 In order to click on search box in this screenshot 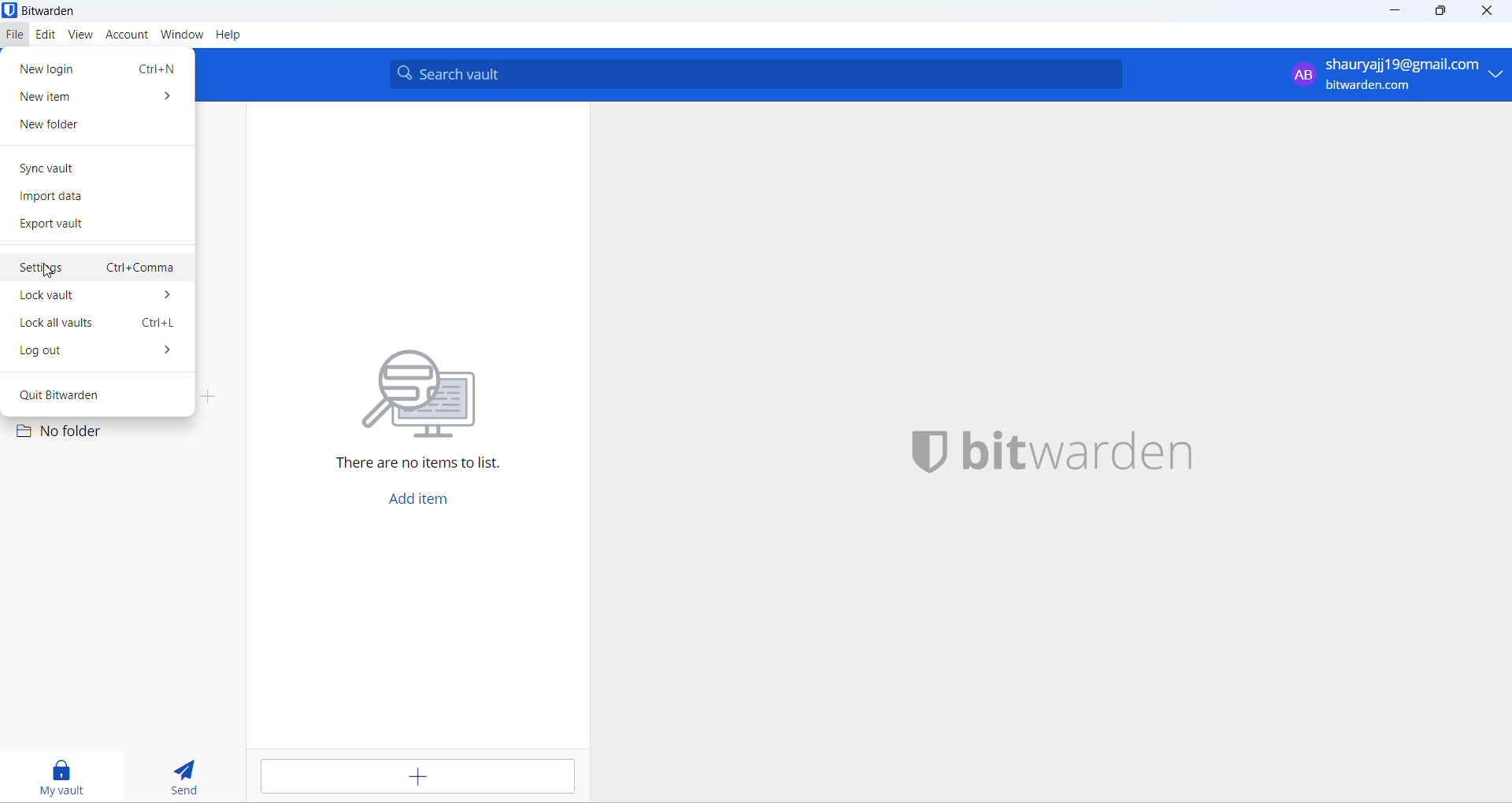, I will do `click(763, 74)`.